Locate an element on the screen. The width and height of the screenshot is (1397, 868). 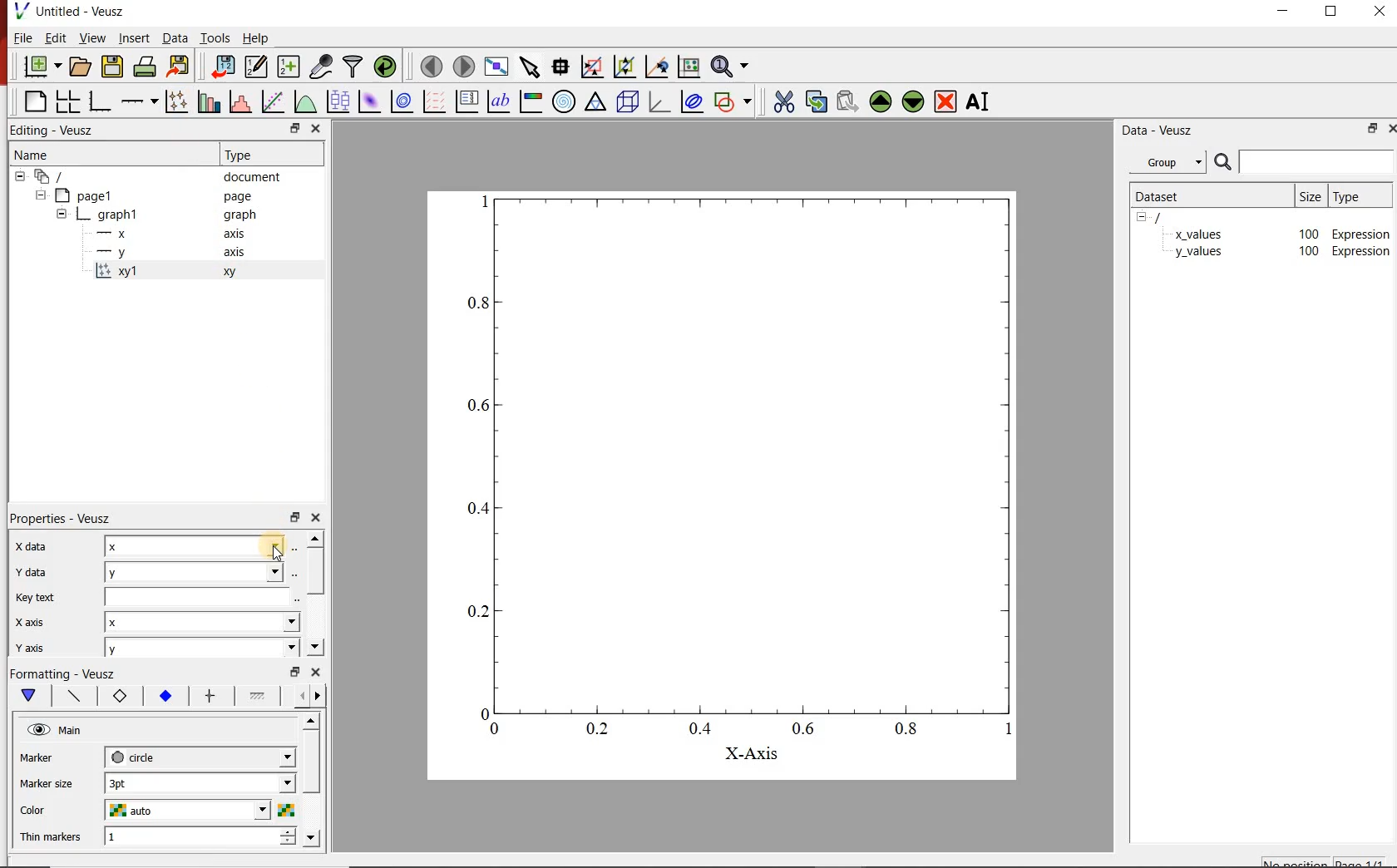
y_values is located at coordinates (1198, 253).